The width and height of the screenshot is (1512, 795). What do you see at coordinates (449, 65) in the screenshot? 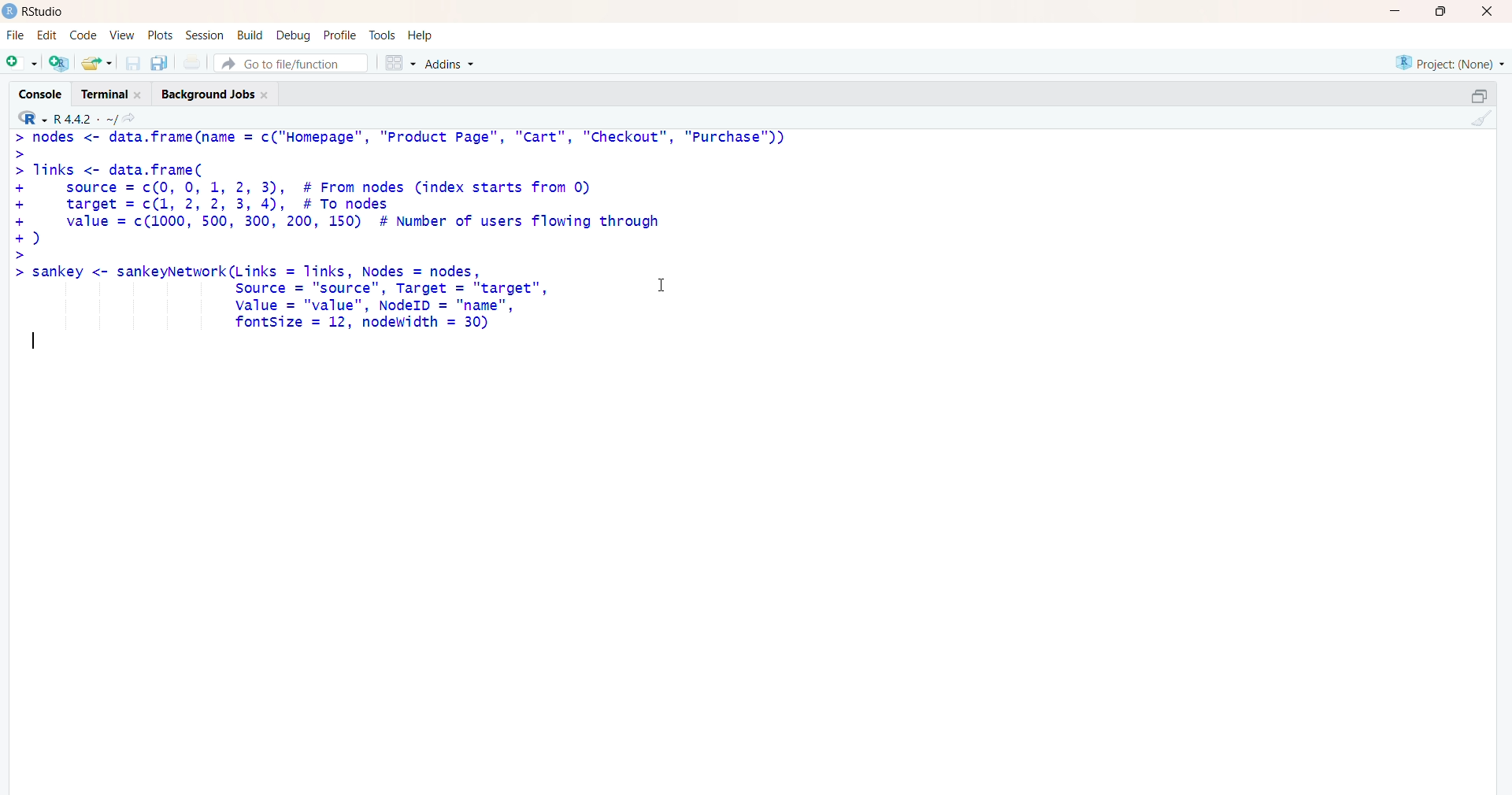
I see `Addins` at bounding box center [449, 65].